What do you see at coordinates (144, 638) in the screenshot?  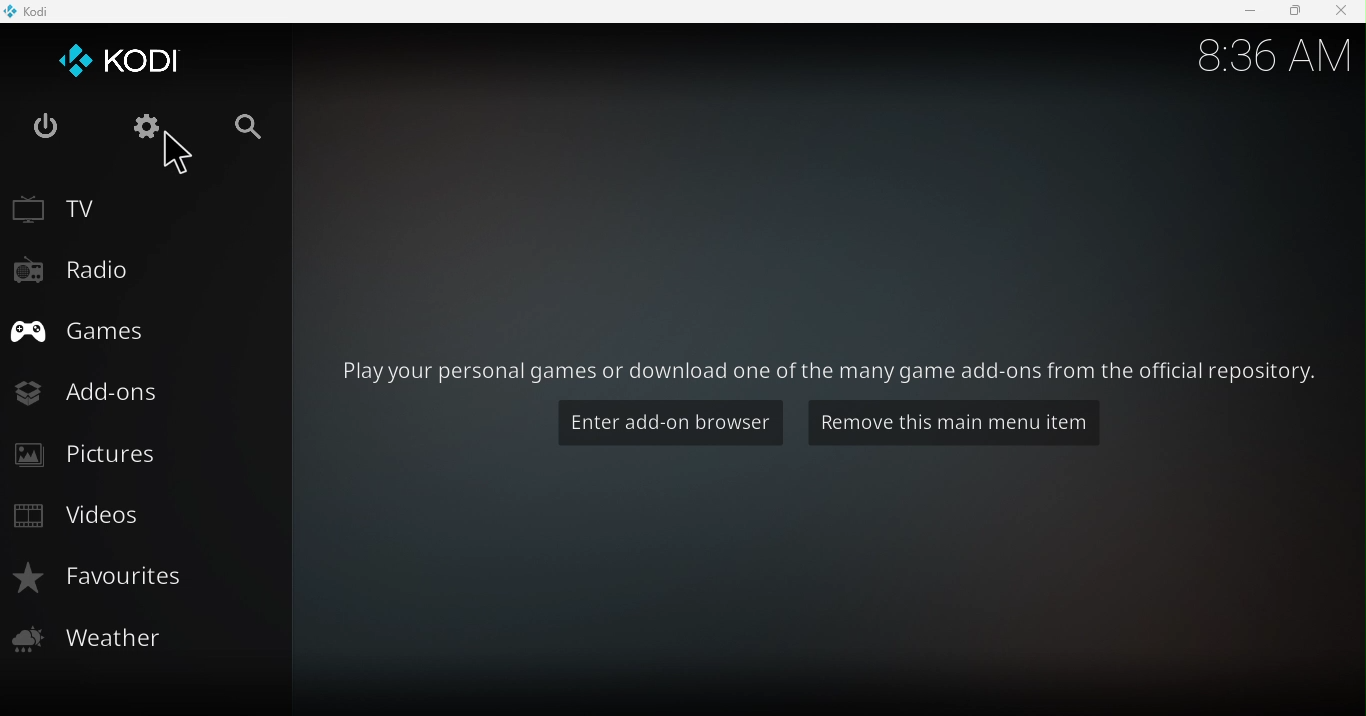 I see `Weather` at bounding box center [144, 638].